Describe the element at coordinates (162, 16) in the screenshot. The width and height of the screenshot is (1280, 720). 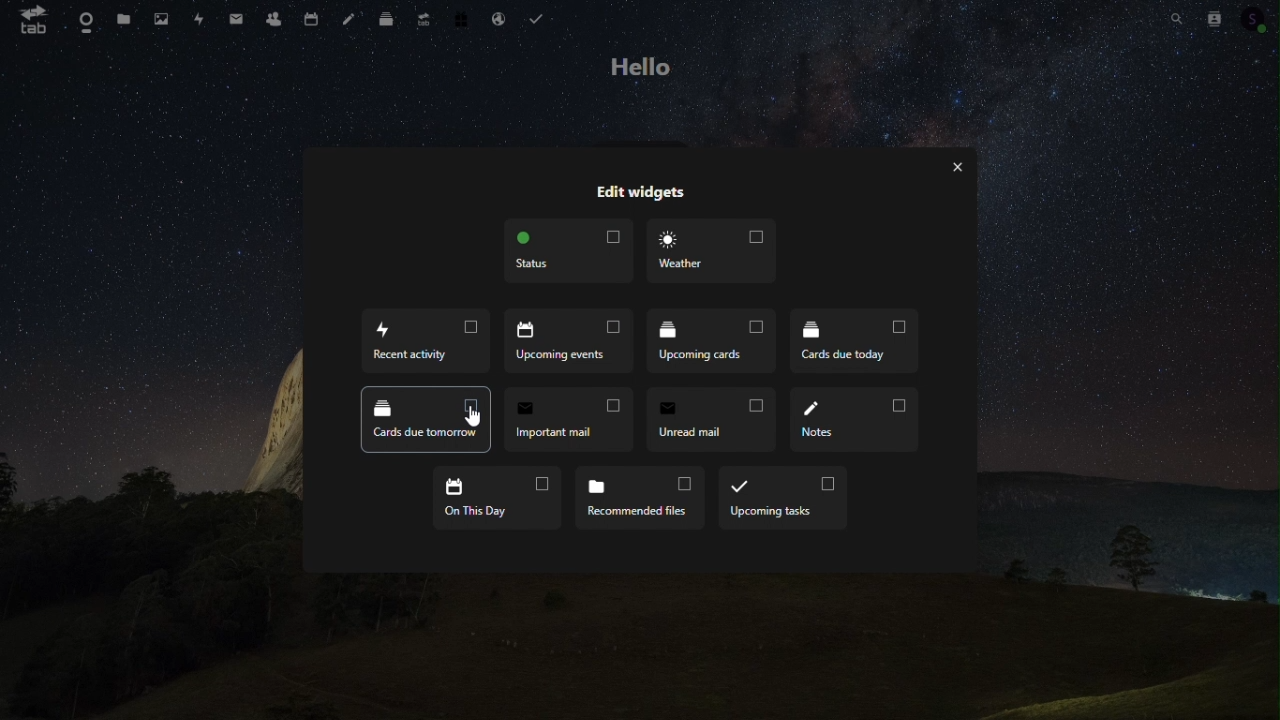
I see `Photos` at that location.